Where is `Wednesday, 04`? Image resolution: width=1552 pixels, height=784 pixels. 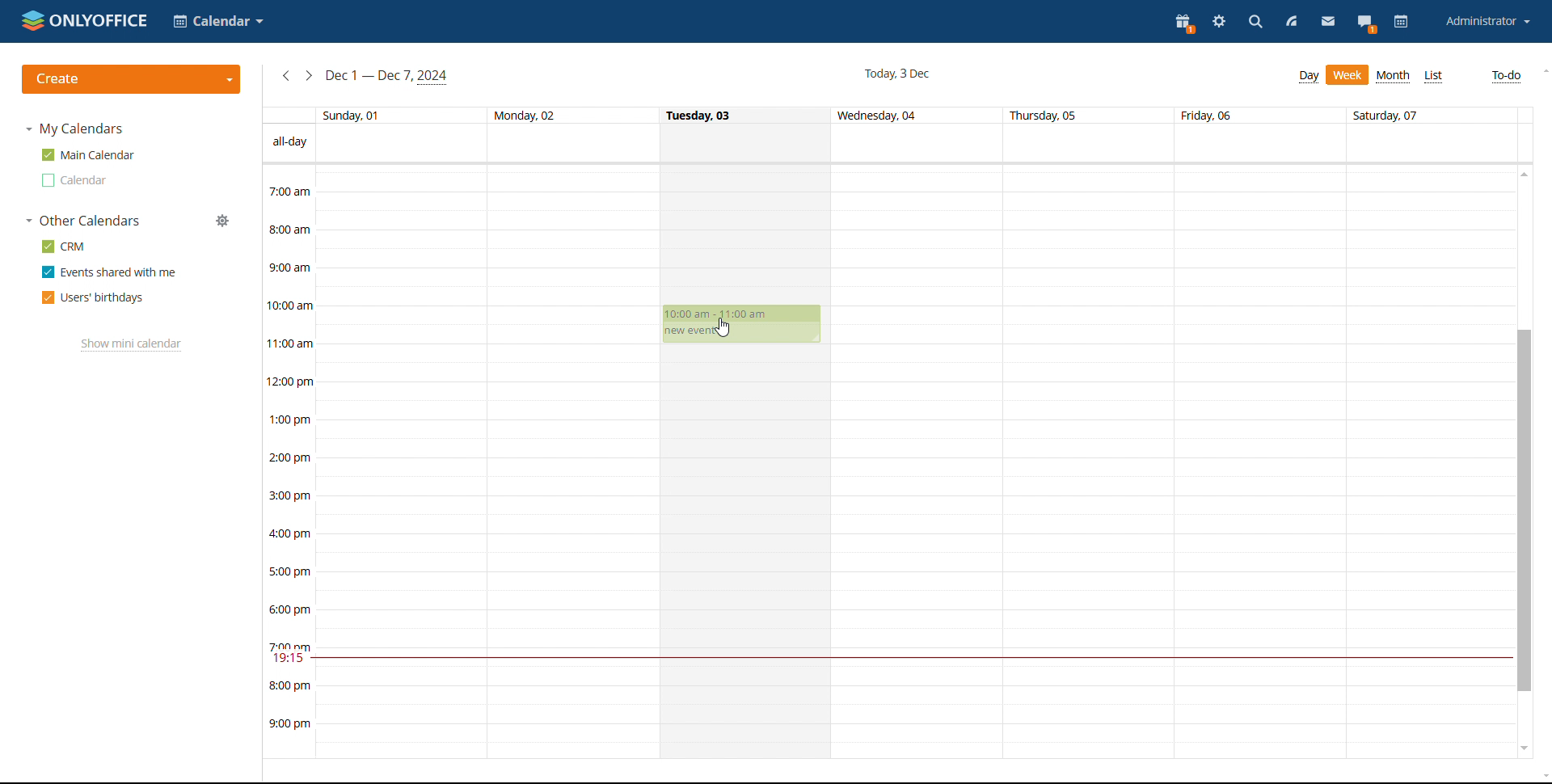
Wednesday, 04 is located at coordinates (880, 116).